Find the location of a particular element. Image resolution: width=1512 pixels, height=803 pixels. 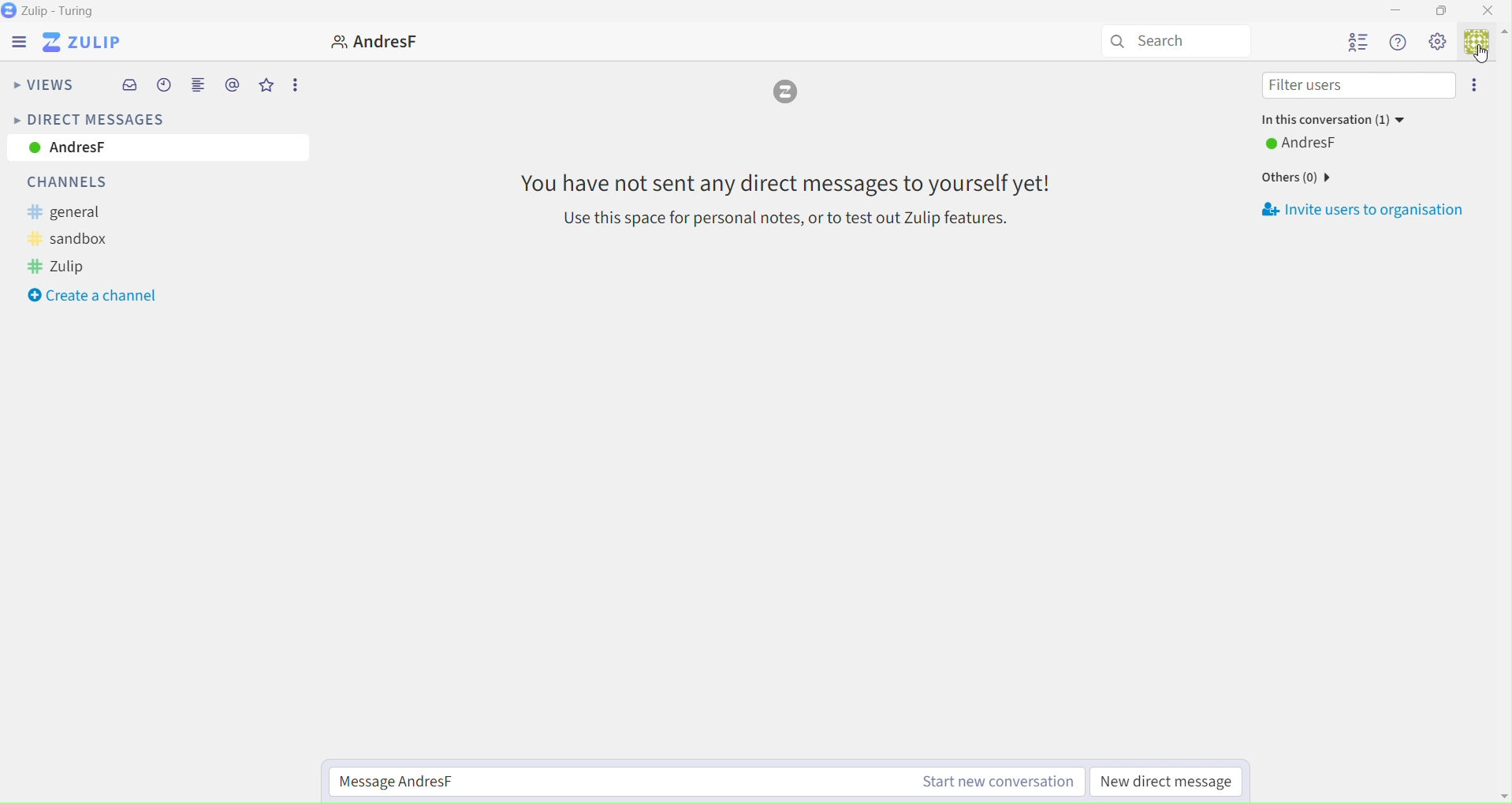

general is located at coordinates (76, 213).